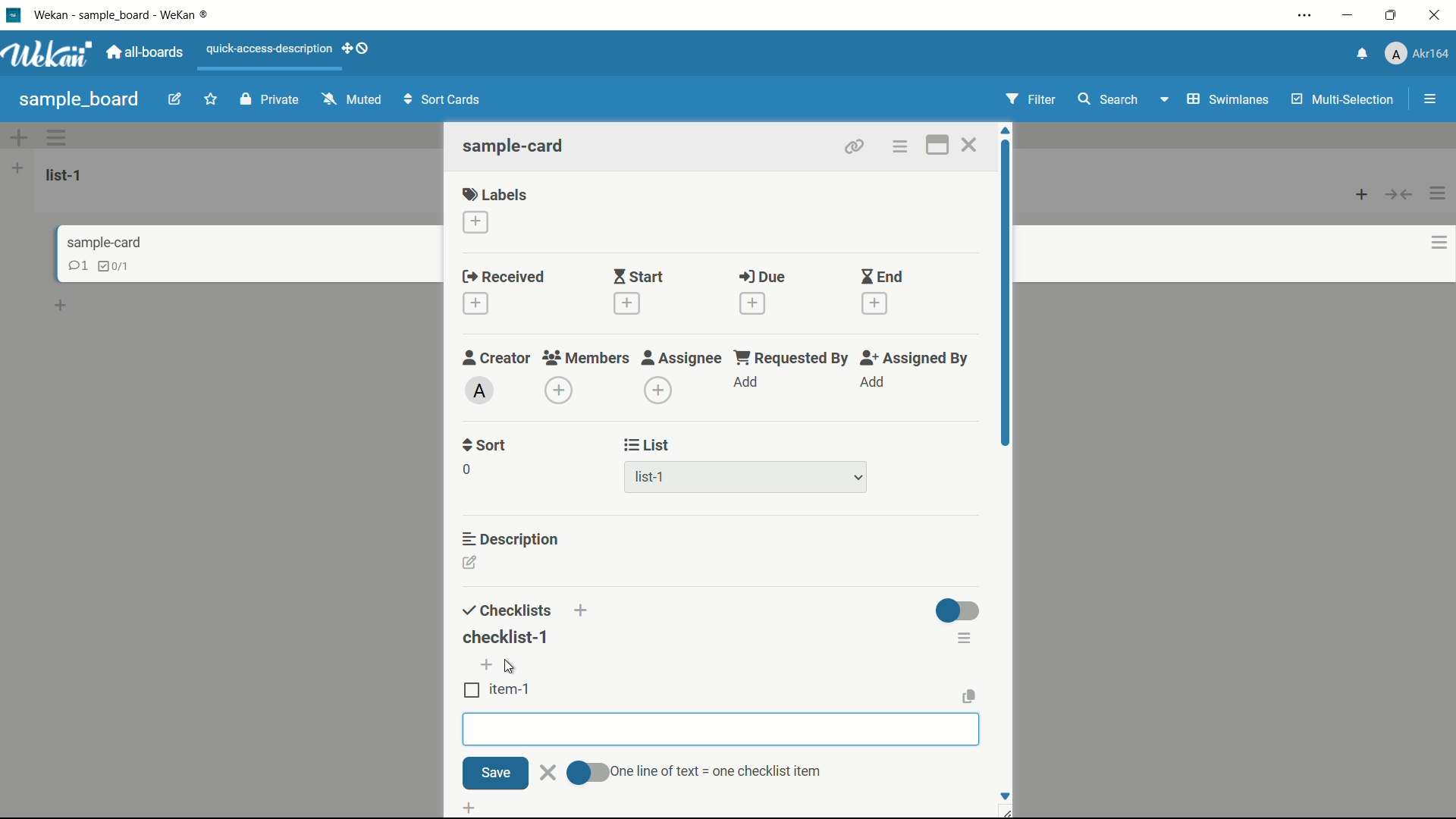  What do you see at coordinates (494, 359) in the screenshot?
I see `creator` at bounding box center [494, 359].